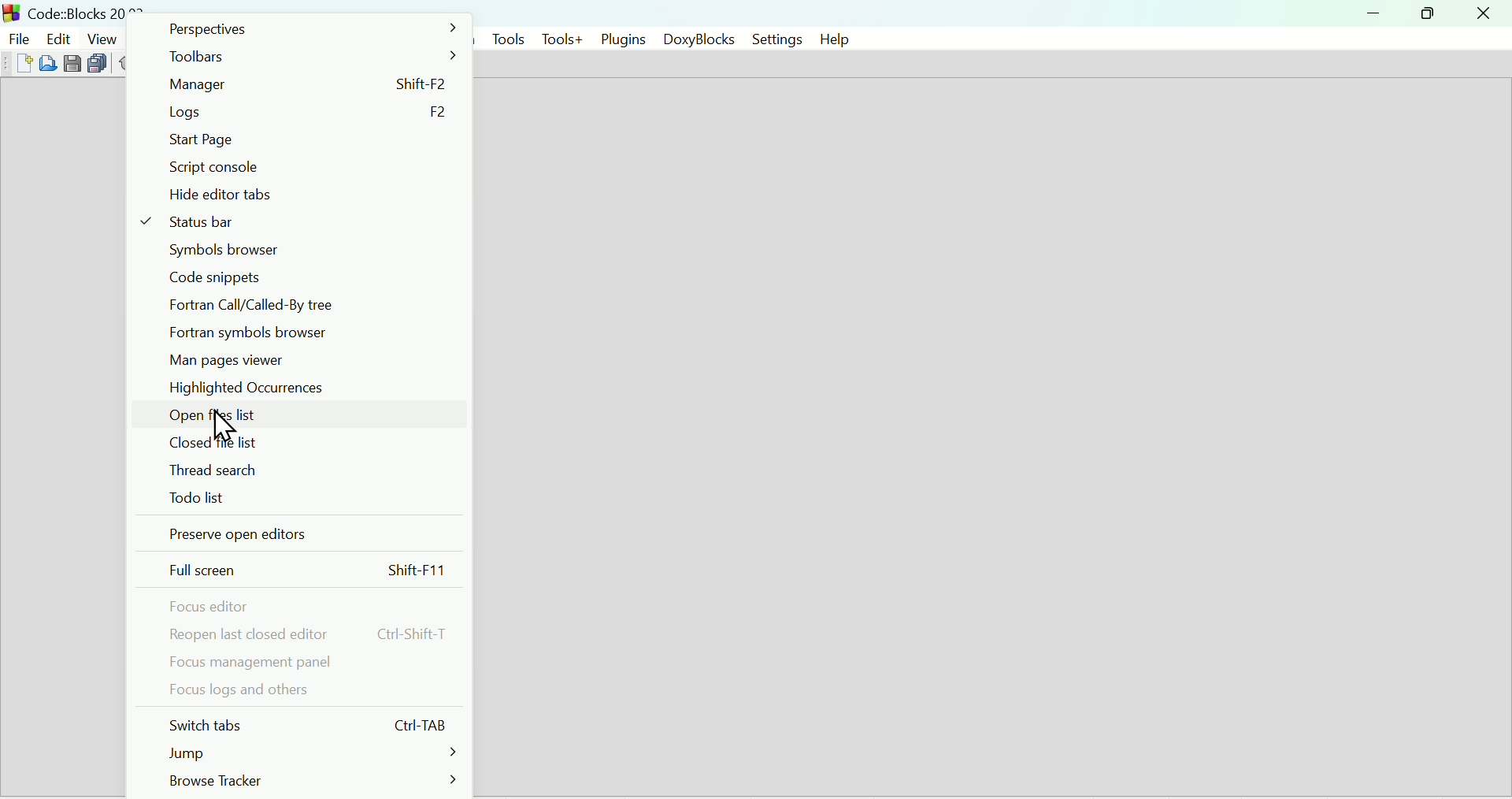 Image resolution: width=1512 pixels, height=799 pixels. What do you see at coordinates (306, 113) in the screenshot?
I see `Logs` at bounding box center [306, 113].